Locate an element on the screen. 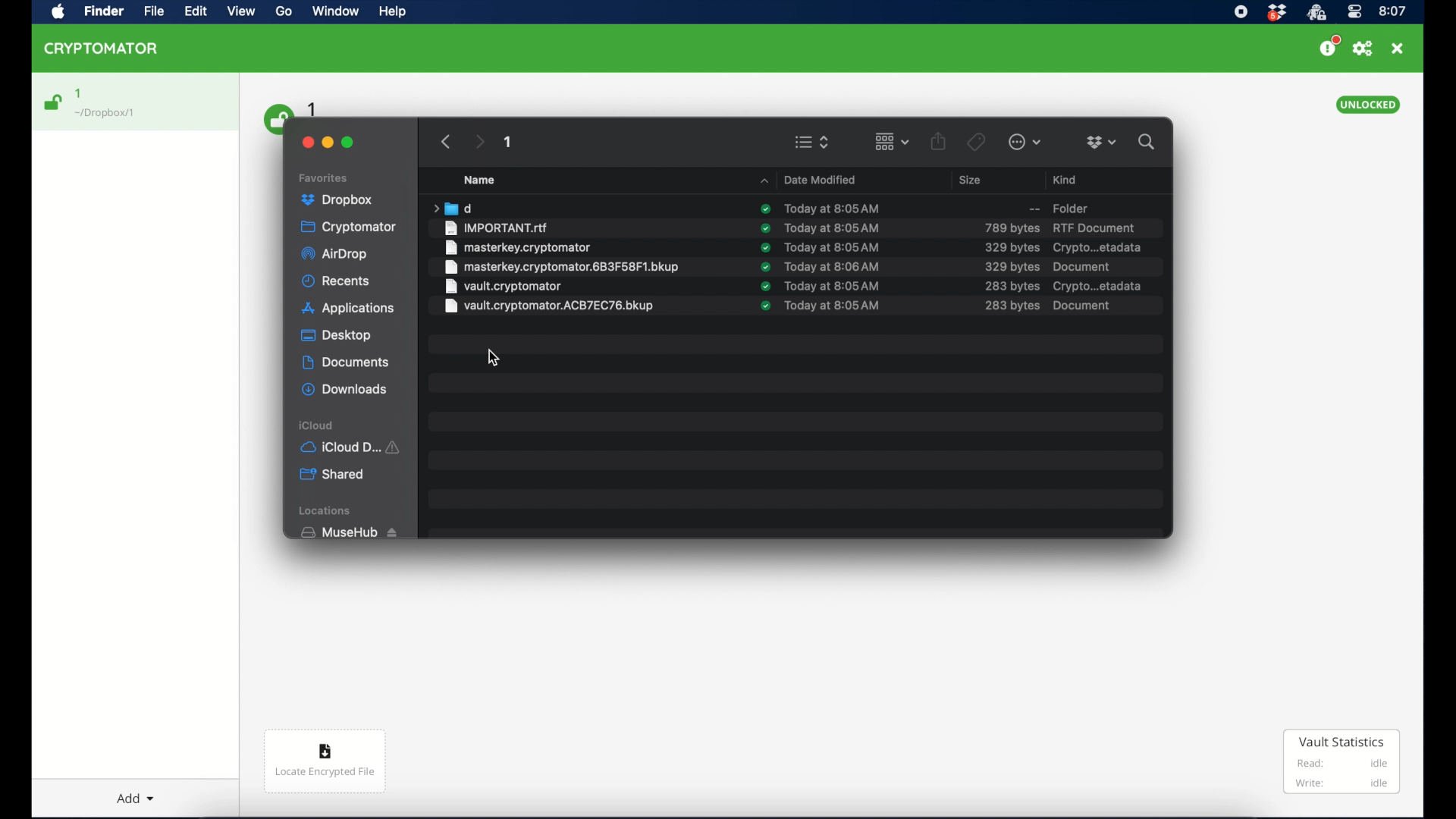 This screenshot has height=819, width=1456. screen recorder icon is located at coordinates (1241, 11).